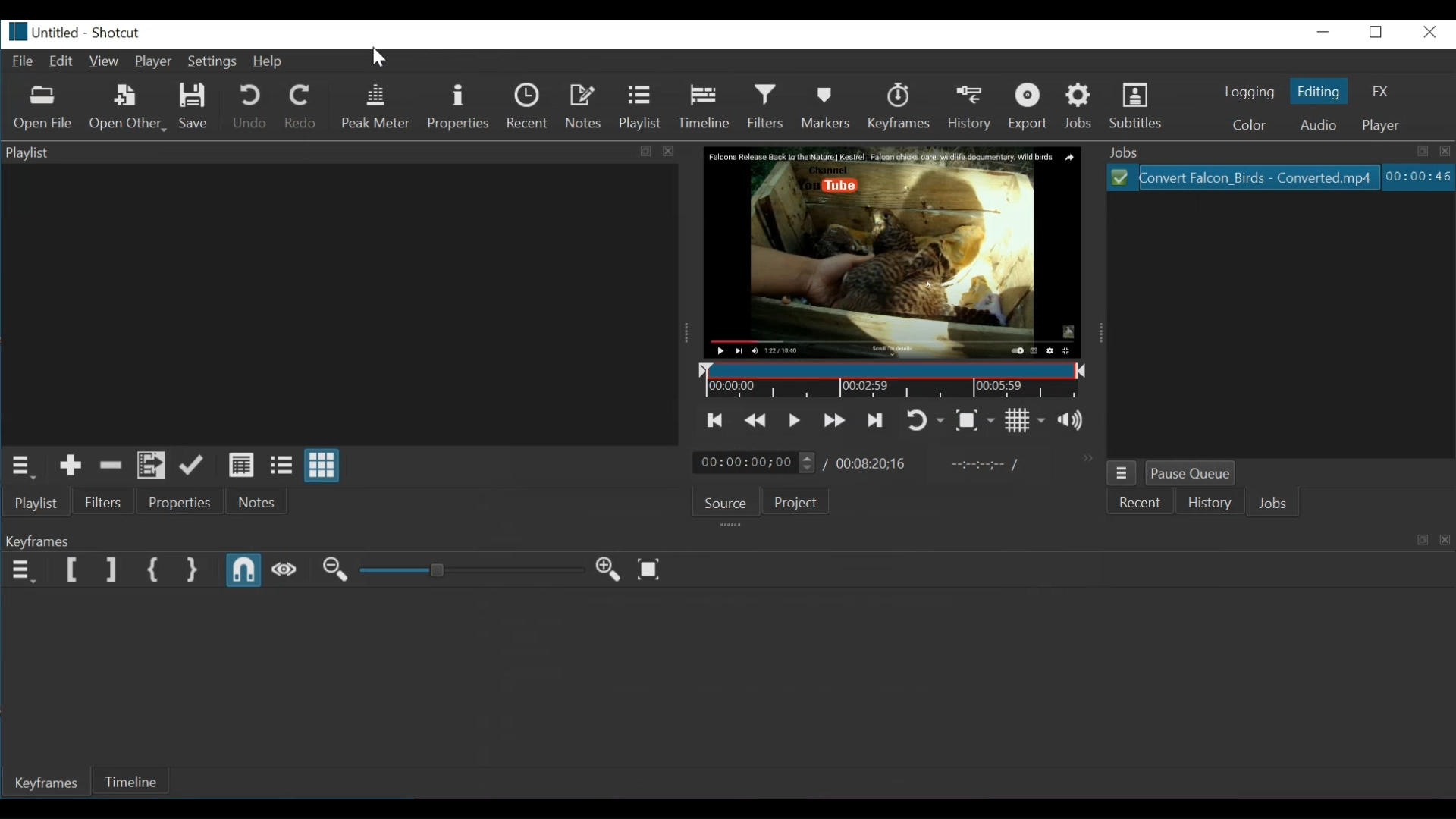 The width and height of the screenshot is (1456, 819). Describe the element at coordinates (795, 504) in the screenshot. I see `Project` at that location.